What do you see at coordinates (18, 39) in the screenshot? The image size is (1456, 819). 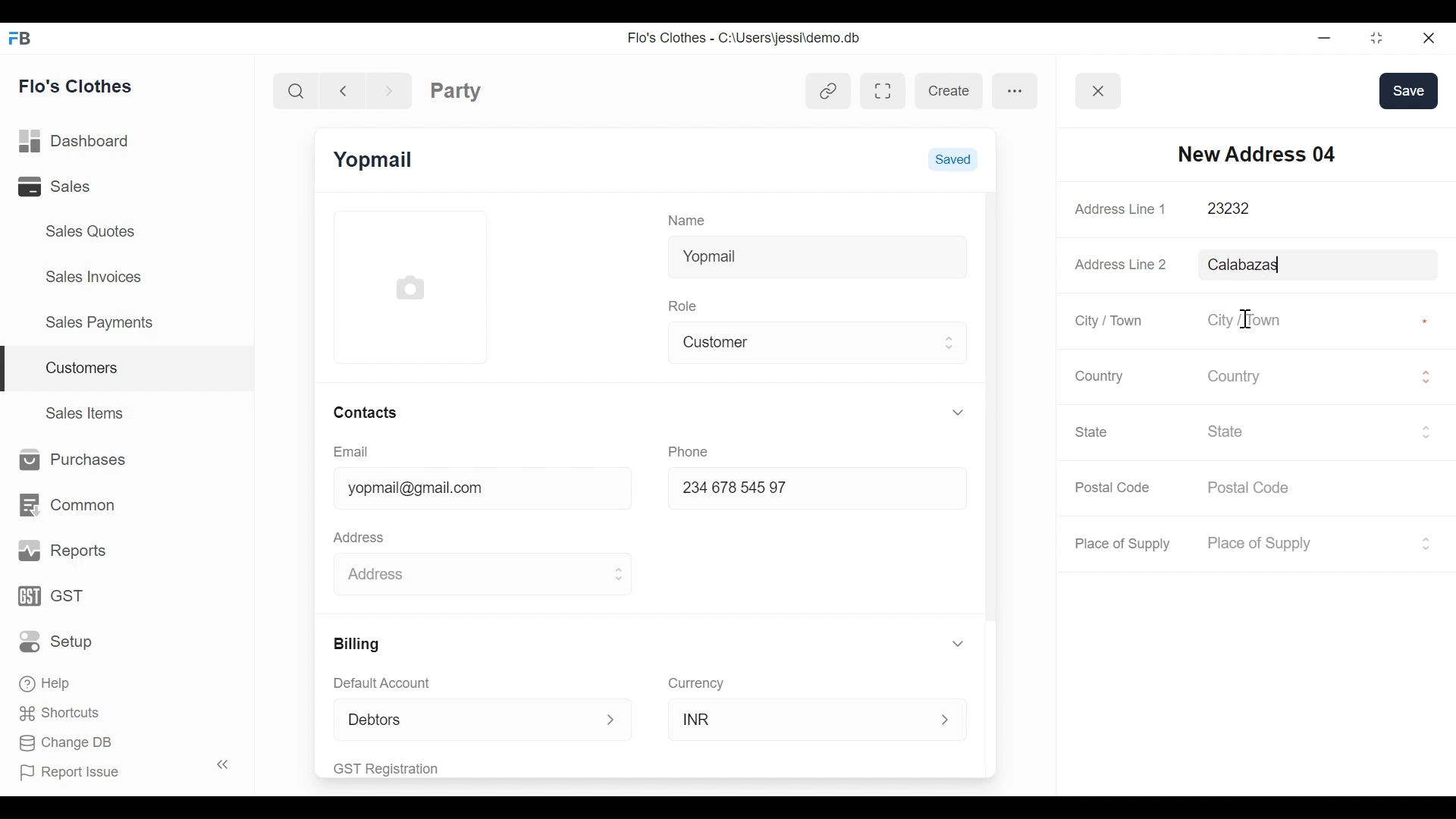 I see `Frappe Books Desktop Icon` at bounding box center [18, 39].